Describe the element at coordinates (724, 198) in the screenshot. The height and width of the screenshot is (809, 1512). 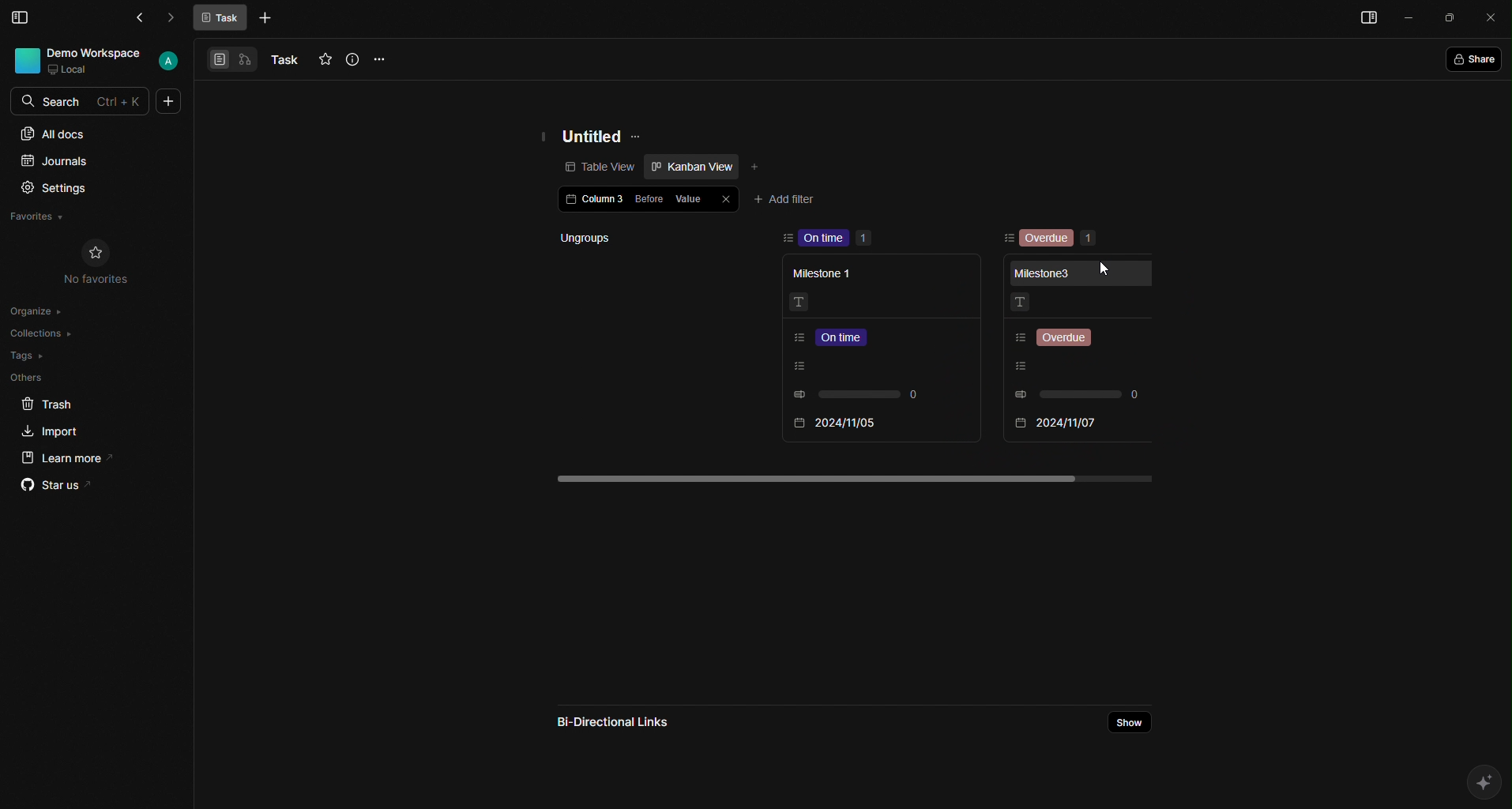
I see `Close` at that location.